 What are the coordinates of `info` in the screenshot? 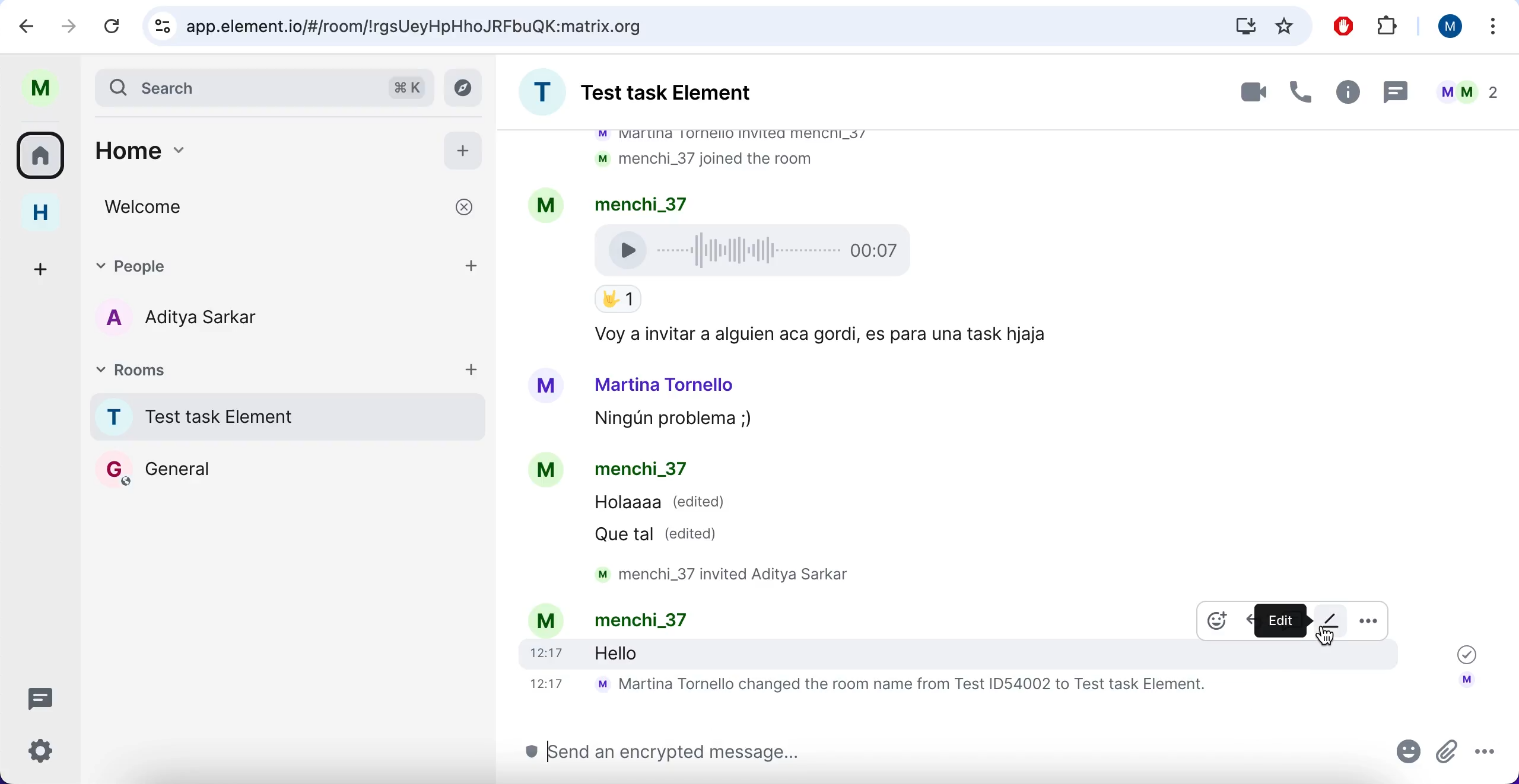 It's located at (1348, 94).